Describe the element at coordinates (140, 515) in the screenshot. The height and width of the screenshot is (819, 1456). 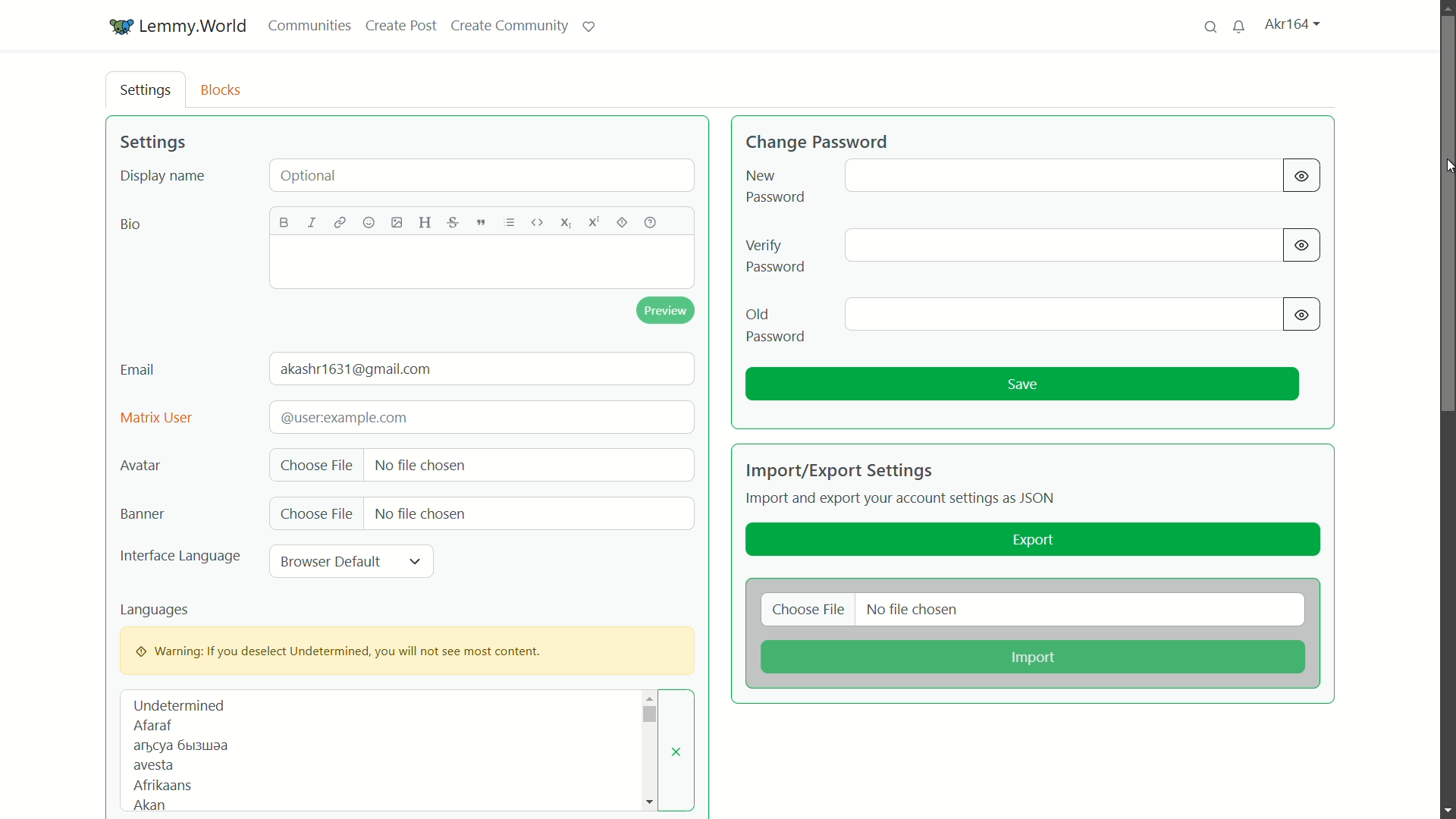
I see `banner` at that location.